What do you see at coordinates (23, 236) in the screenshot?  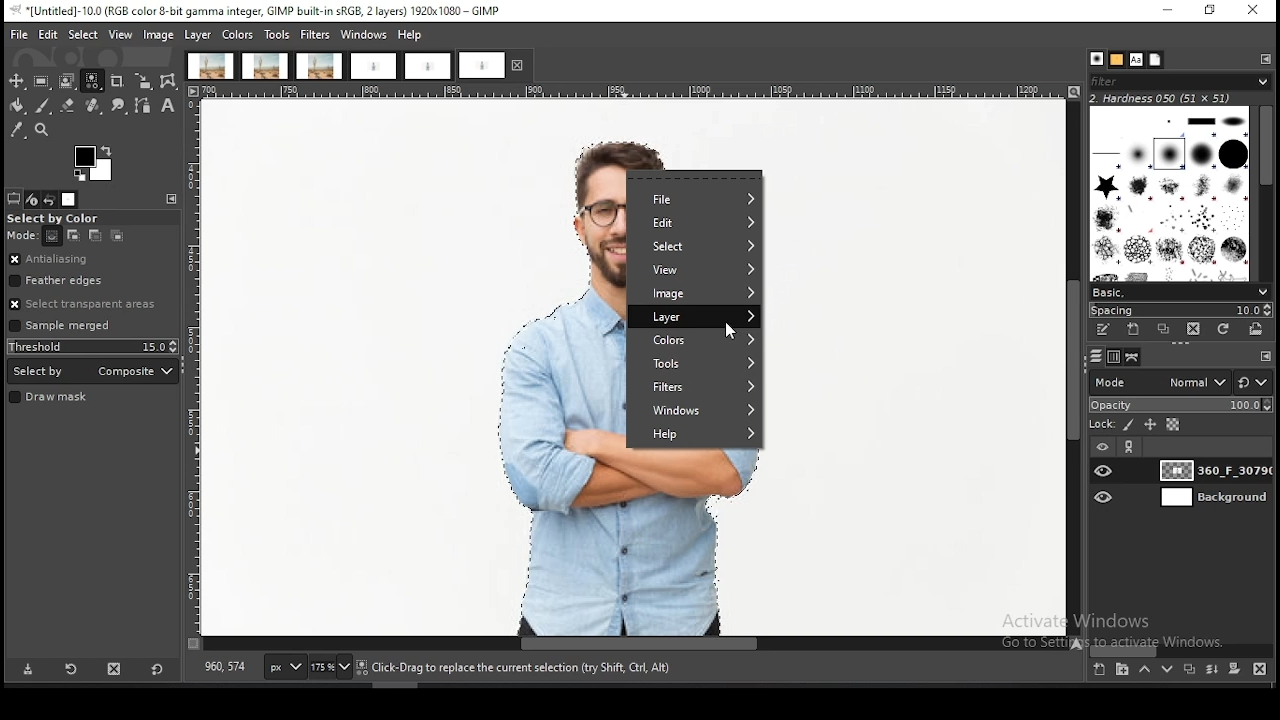 I see `mode:` at bounding box center [23, 236].